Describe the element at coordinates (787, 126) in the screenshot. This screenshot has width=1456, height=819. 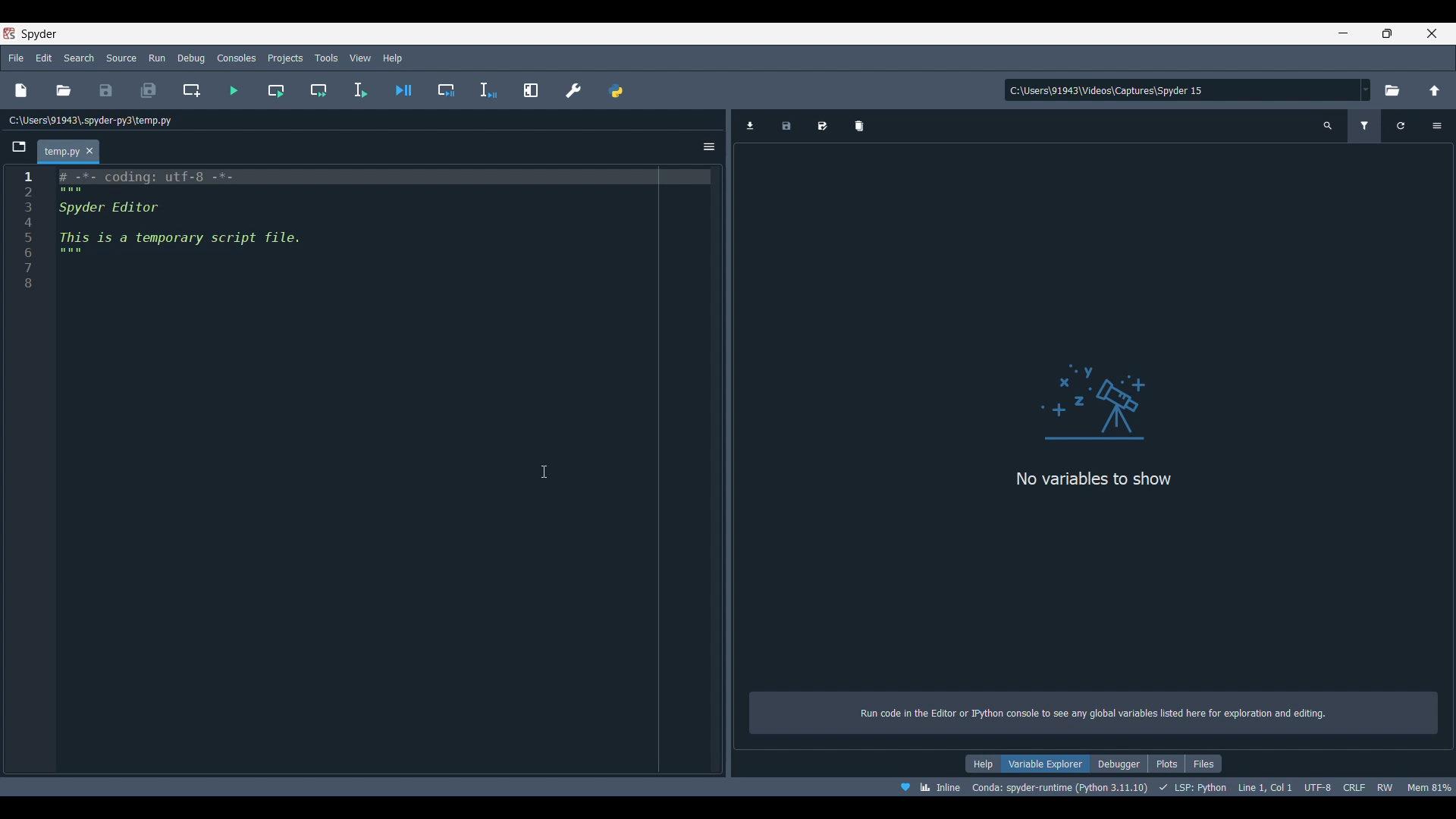
I see `Save data` at that location.